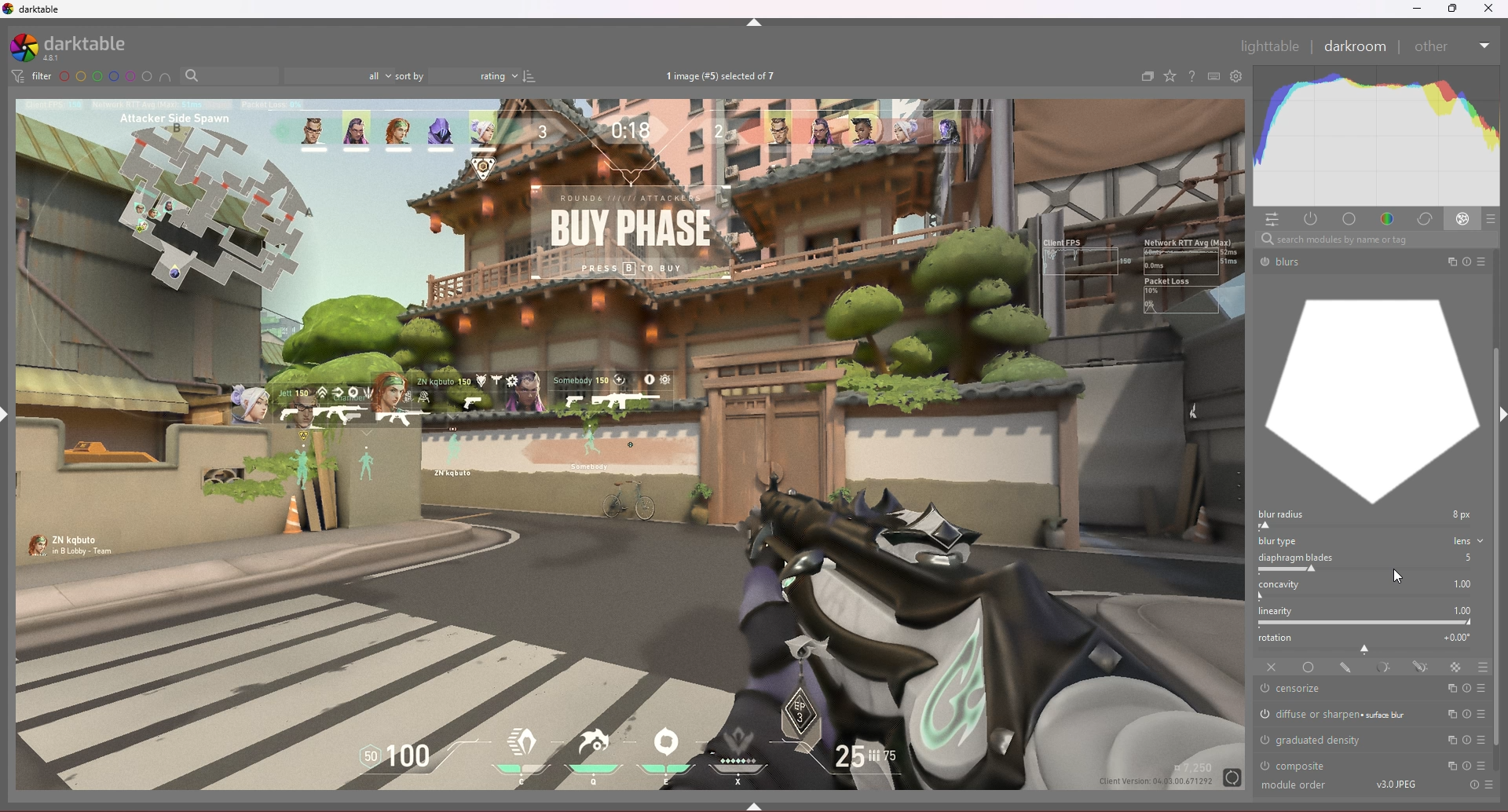 This screenshot has height=812, width=1508. Describe the element at coordinates (1372, 642) in the screenshot. I see `rotation` at that location.